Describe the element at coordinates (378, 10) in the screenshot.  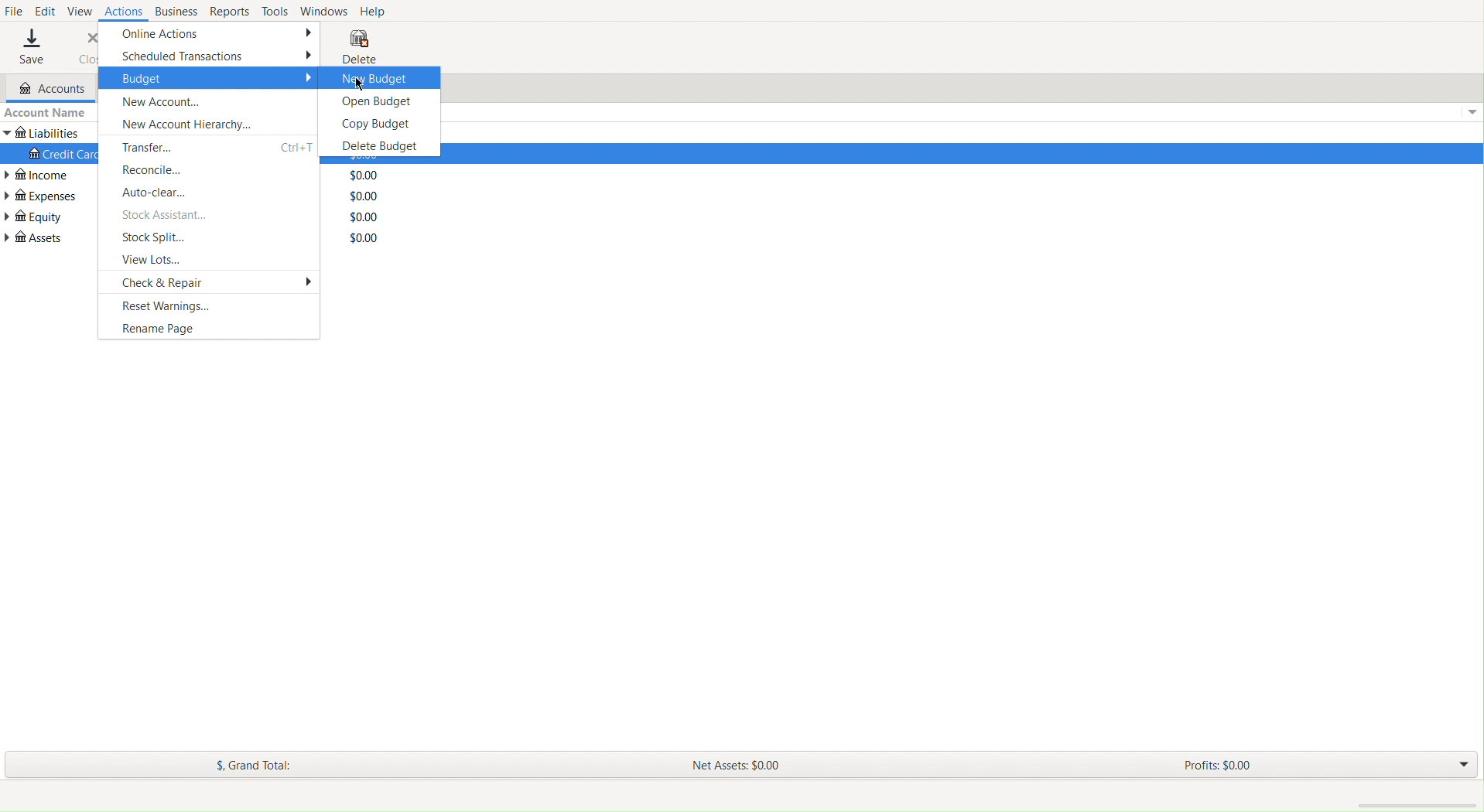
I see `Help` at that location.